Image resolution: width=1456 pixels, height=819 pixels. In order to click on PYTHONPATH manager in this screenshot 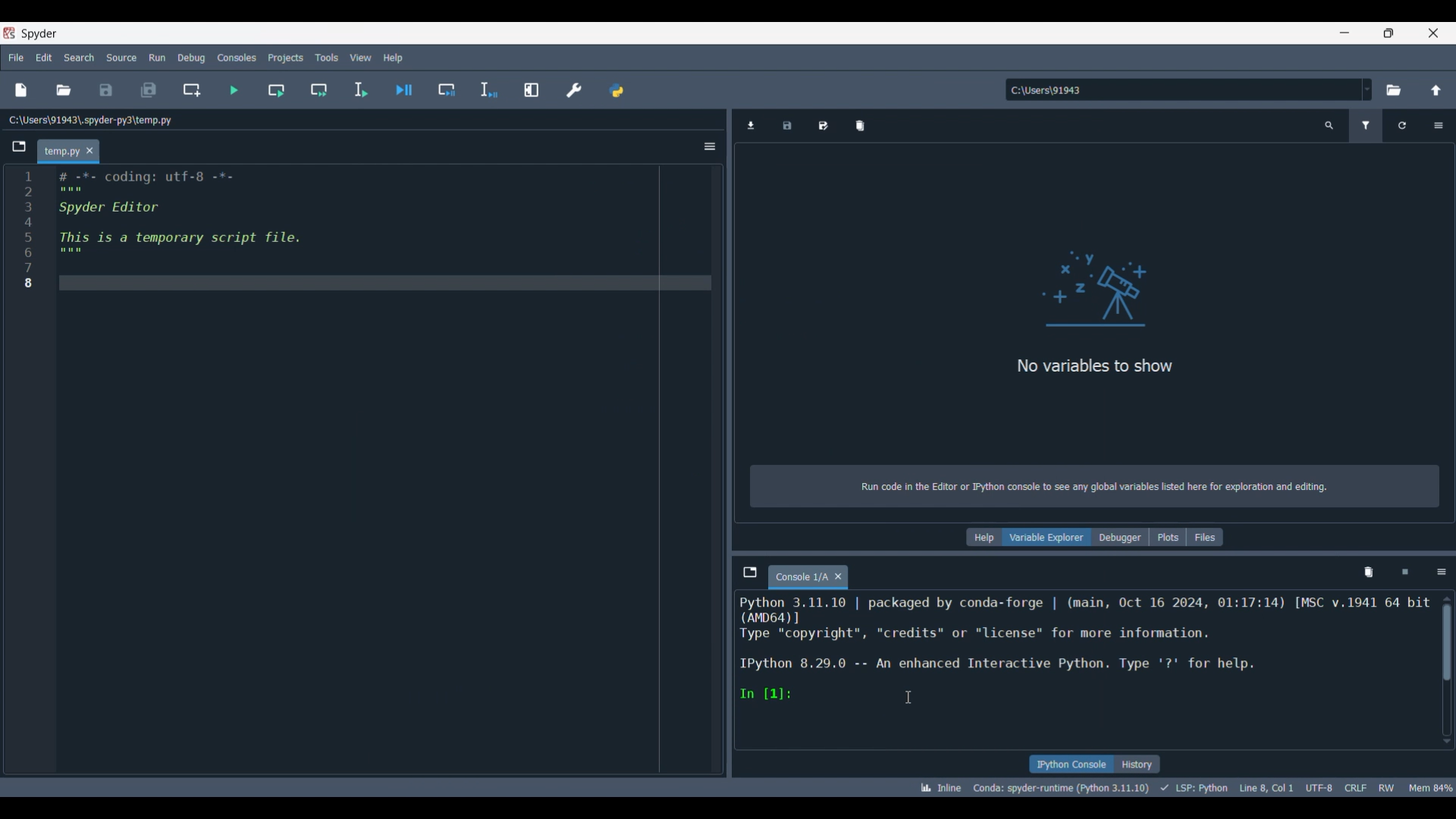, I will do `click(617, 85)`.